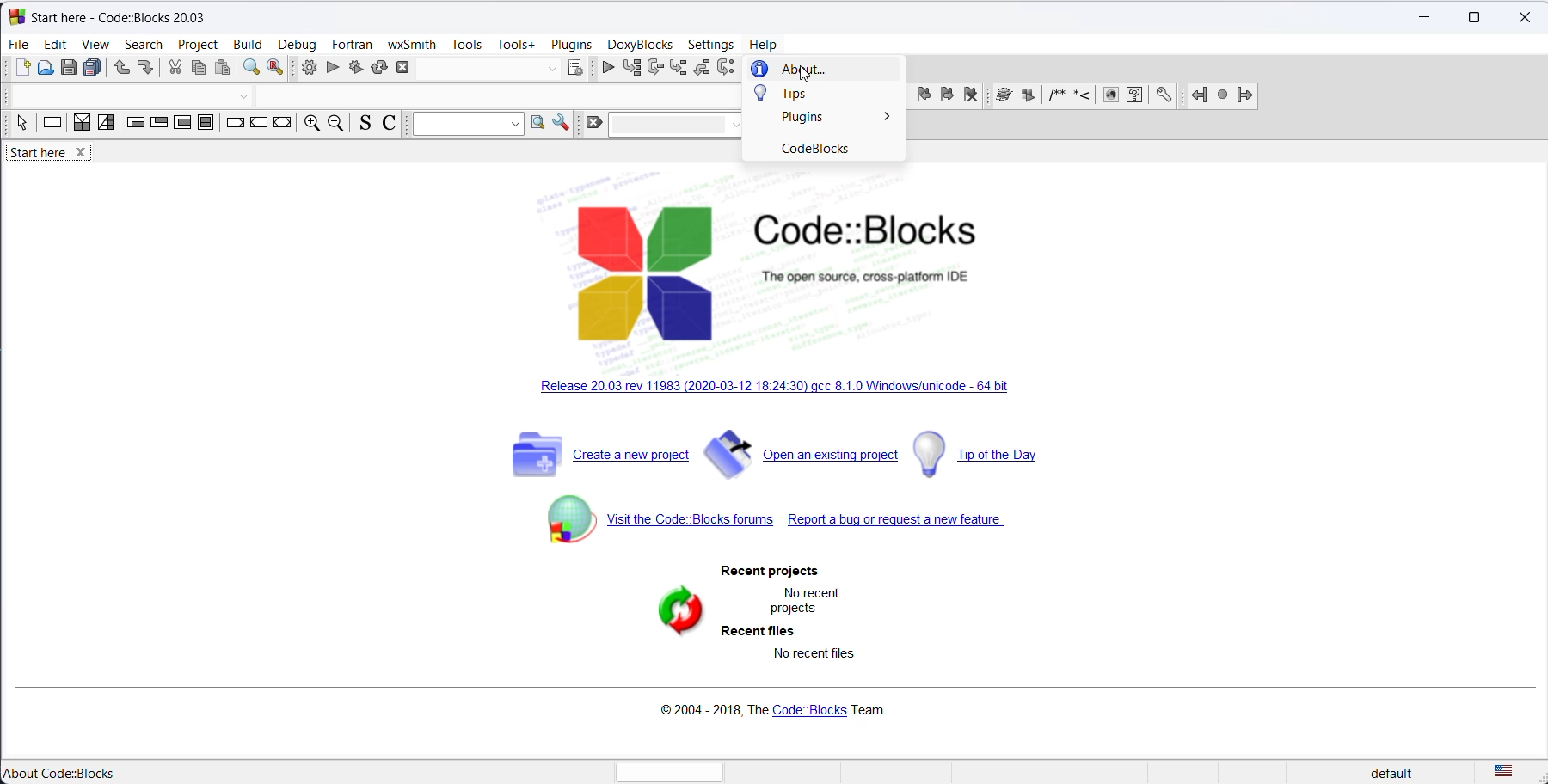  What do you see at coordinates (674, 611) in the screenshot?
I see `refresh` at bounding box center [674, 611].